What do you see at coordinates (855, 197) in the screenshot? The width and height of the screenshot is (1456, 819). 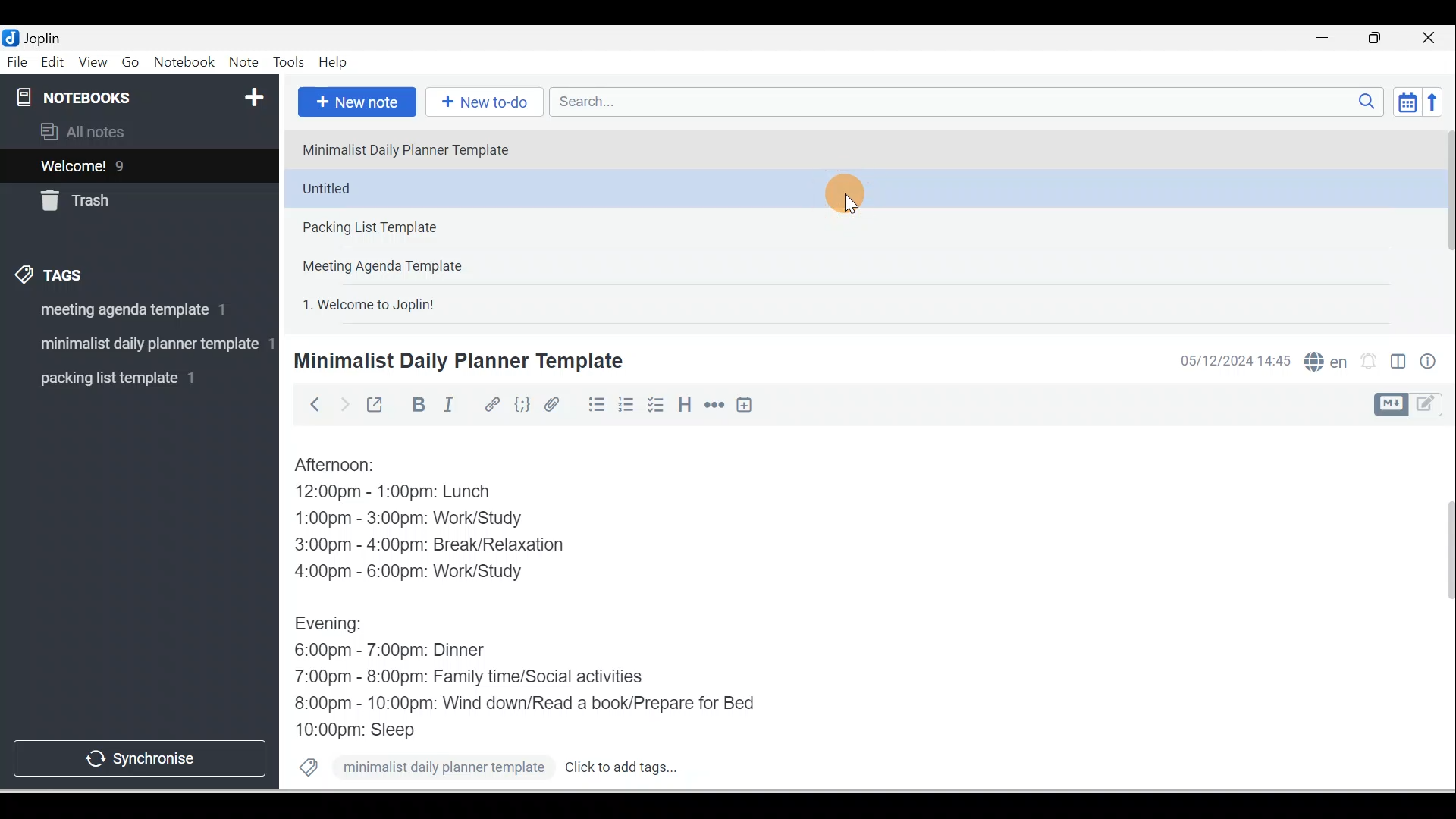 I see `Cursor` at bounding box center [855, 197].